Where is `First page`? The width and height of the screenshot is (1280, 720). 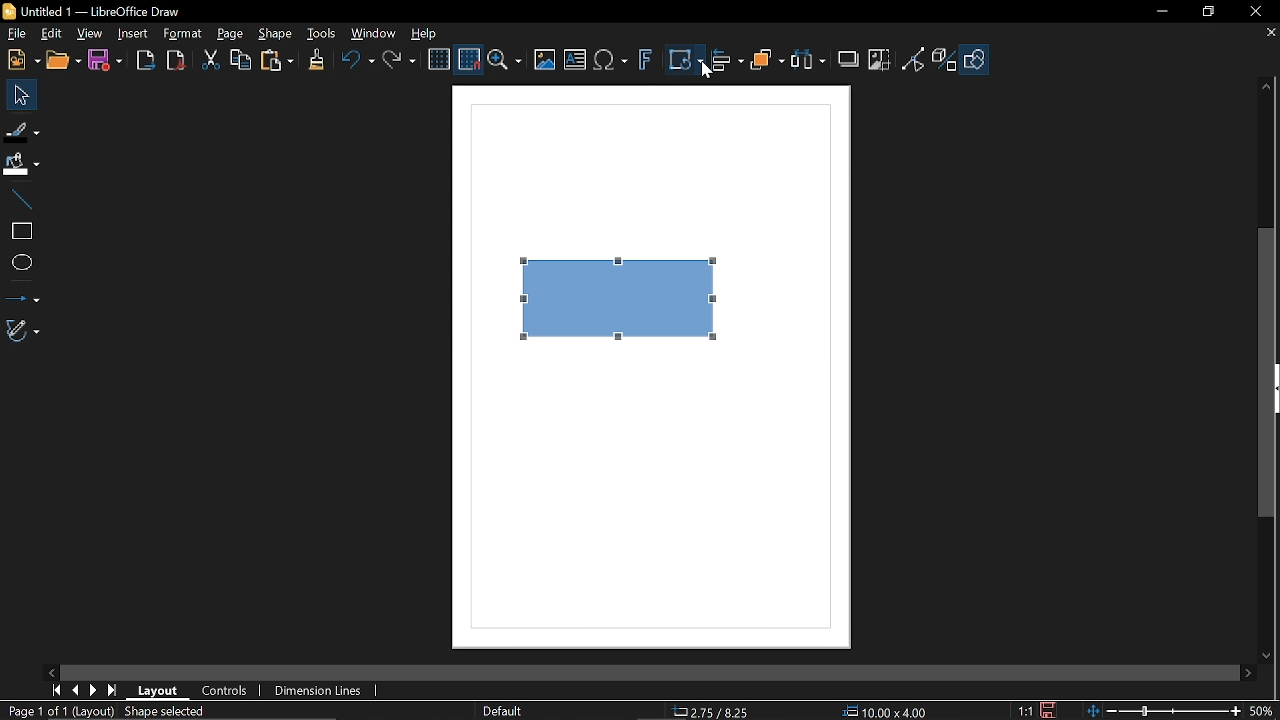 First page is located at coordinates (53, 691).